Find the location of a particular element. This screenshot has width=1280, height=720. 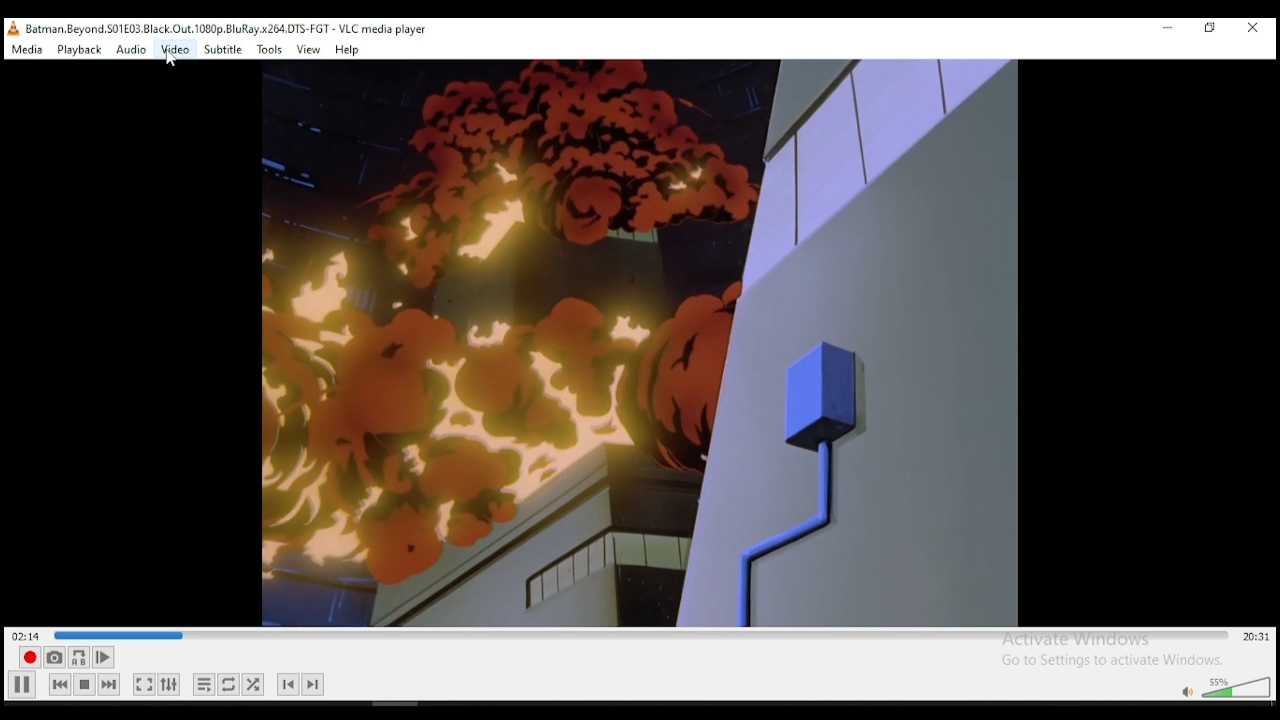

next chapter is located at coordinates (313, 683).